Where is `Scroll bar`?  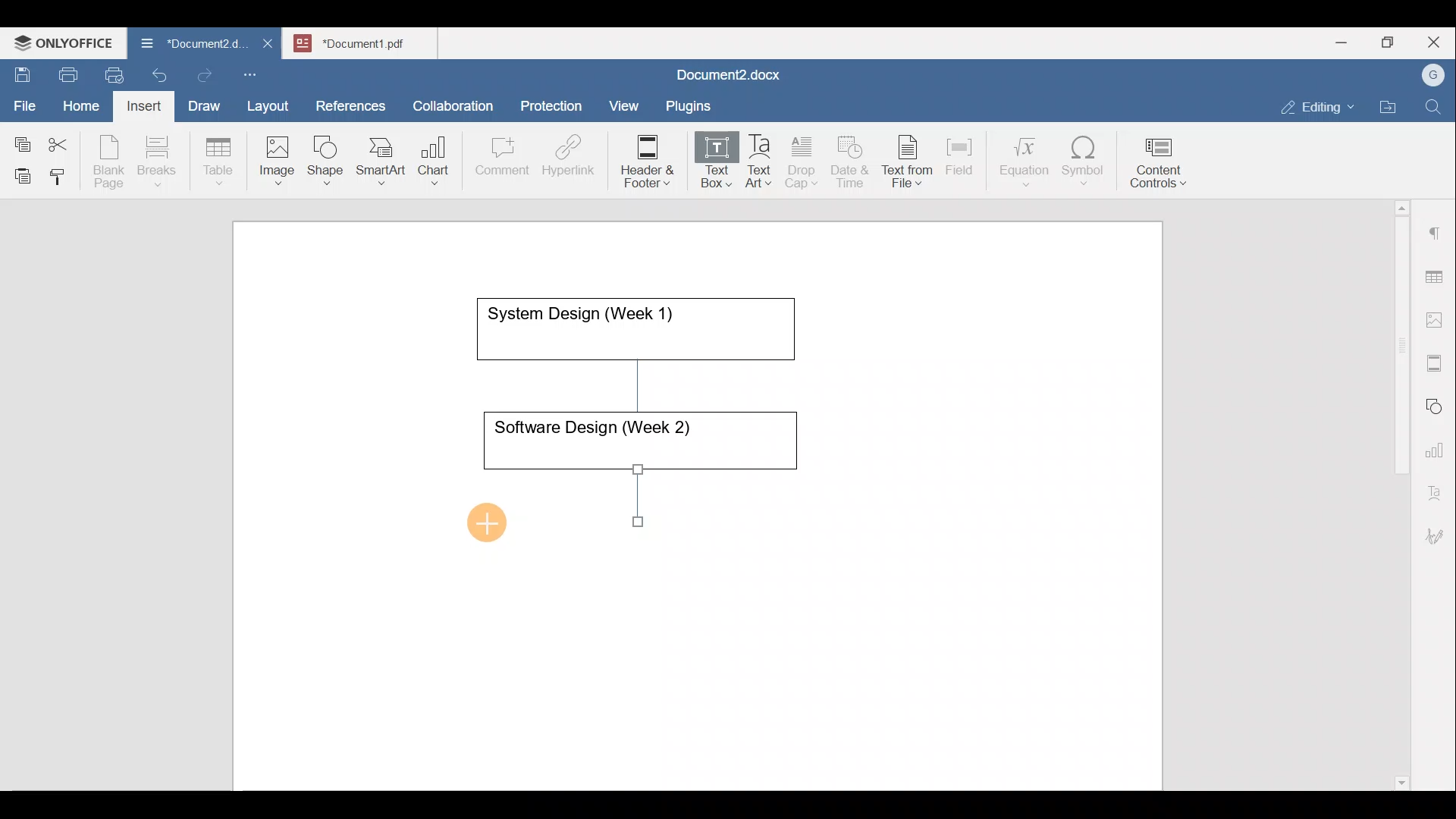 Scroll bar is located at coordinates (1396, 492).